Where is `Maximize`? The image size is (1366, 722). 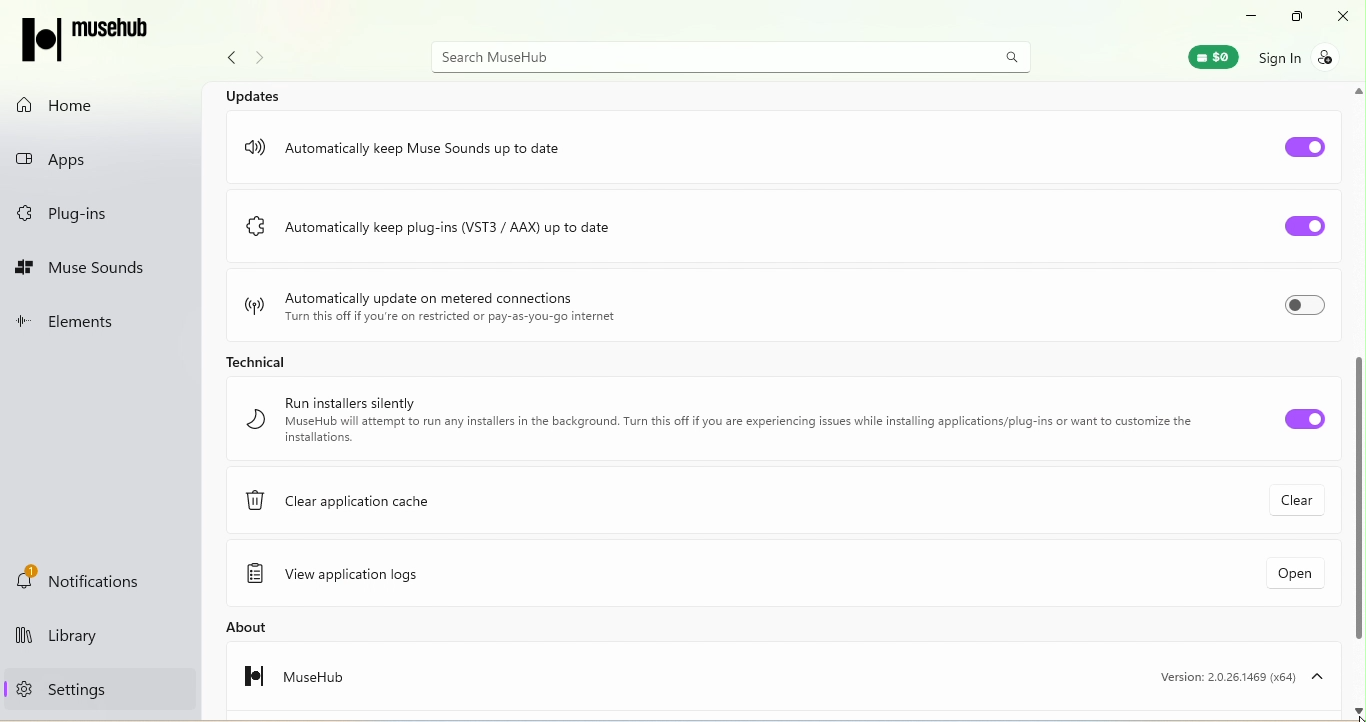 Maximize is located at coordinates (1292, 17).